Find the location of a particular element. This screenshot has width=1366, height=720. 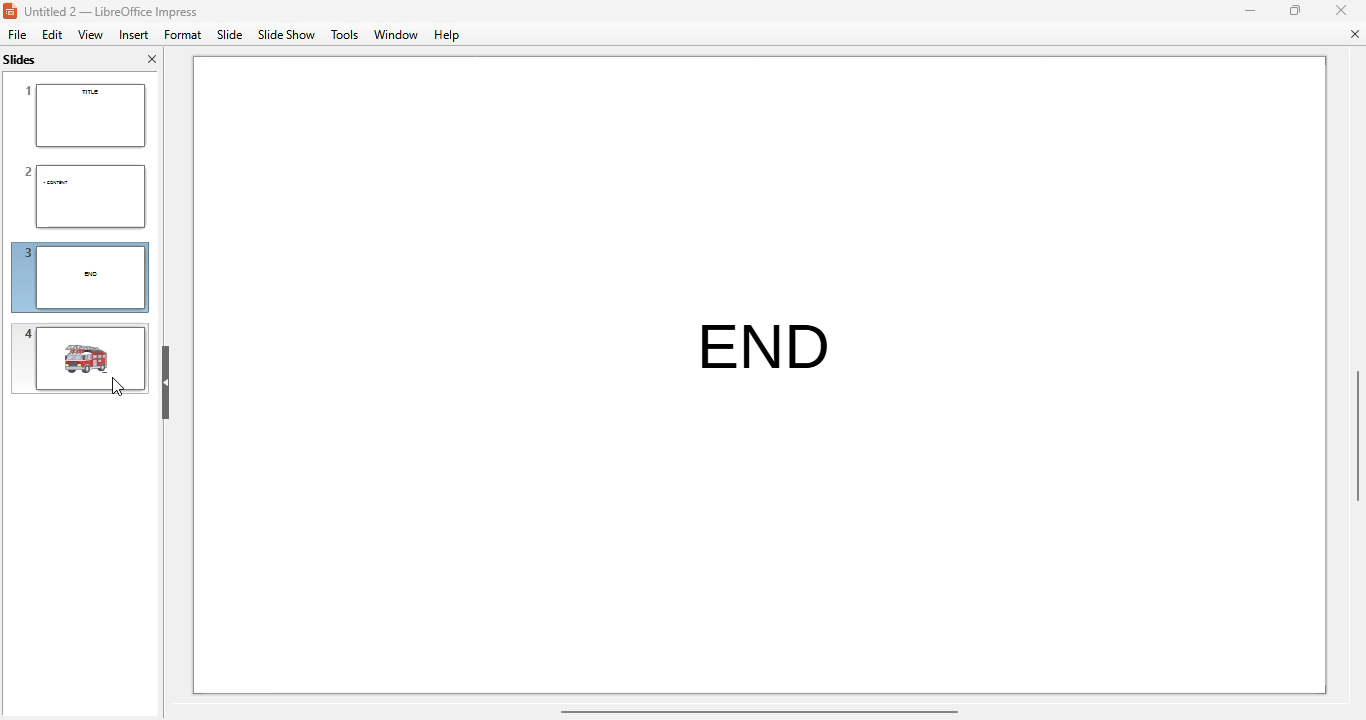

slide 4 is located at coordinates (79, 358).